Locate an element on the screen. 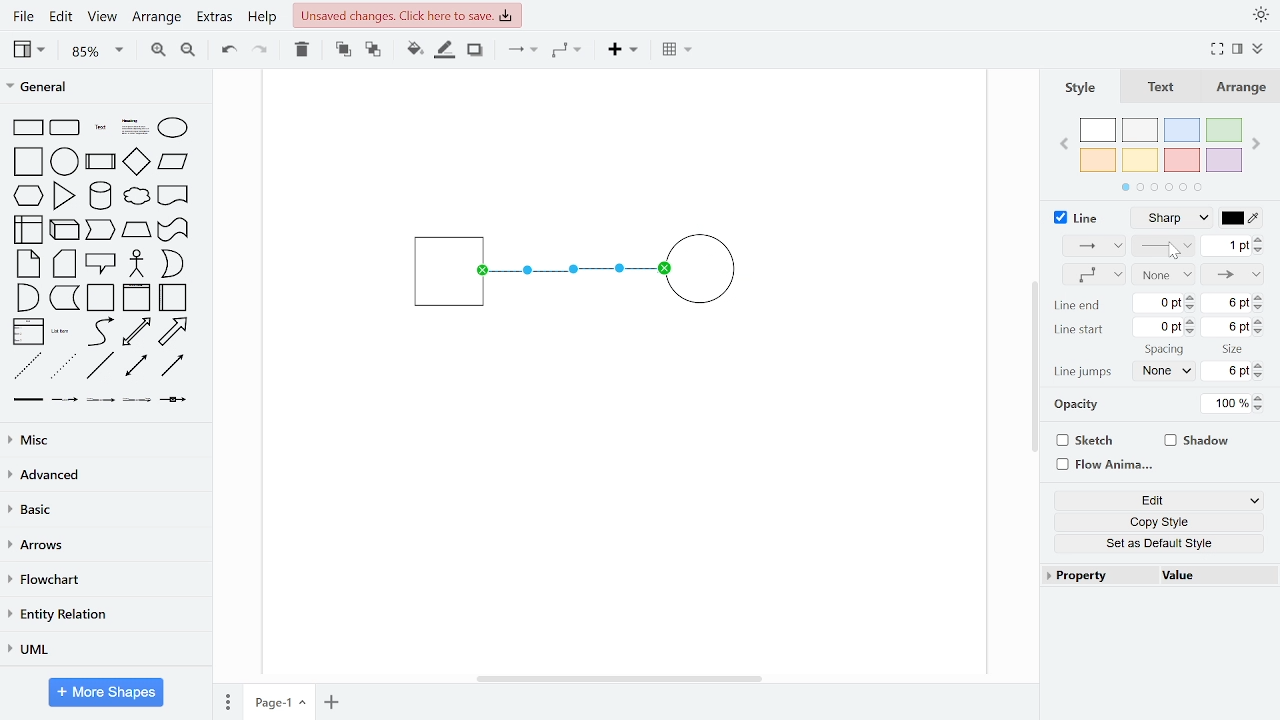 Image resolution: width=1280 pixels, height=720 pixels. arrange is located at coordinates (157, 18).